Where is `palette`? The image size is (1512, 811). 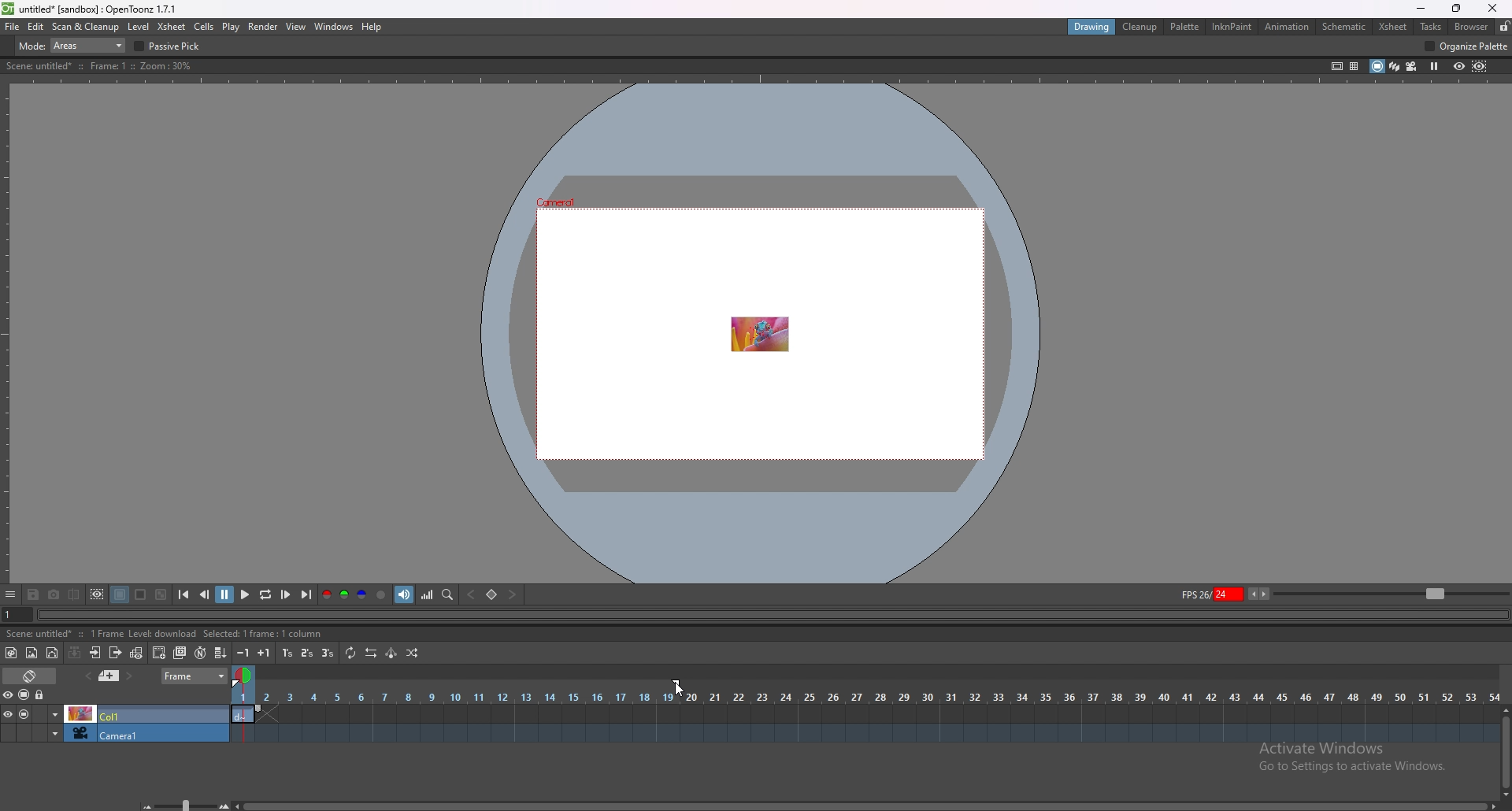 palette is located at coordinates (1186, 27).